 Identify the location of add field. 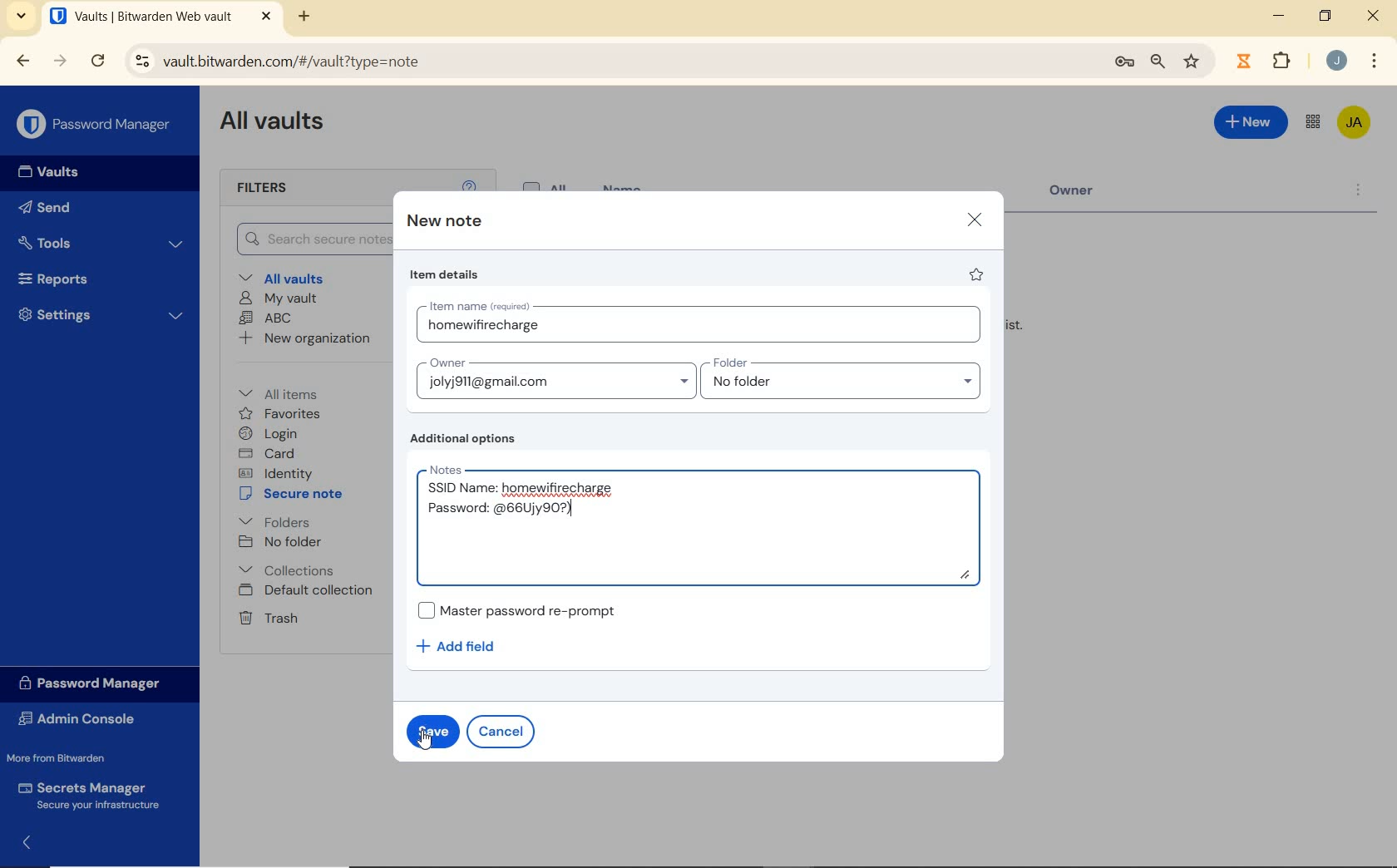
(467, 647).